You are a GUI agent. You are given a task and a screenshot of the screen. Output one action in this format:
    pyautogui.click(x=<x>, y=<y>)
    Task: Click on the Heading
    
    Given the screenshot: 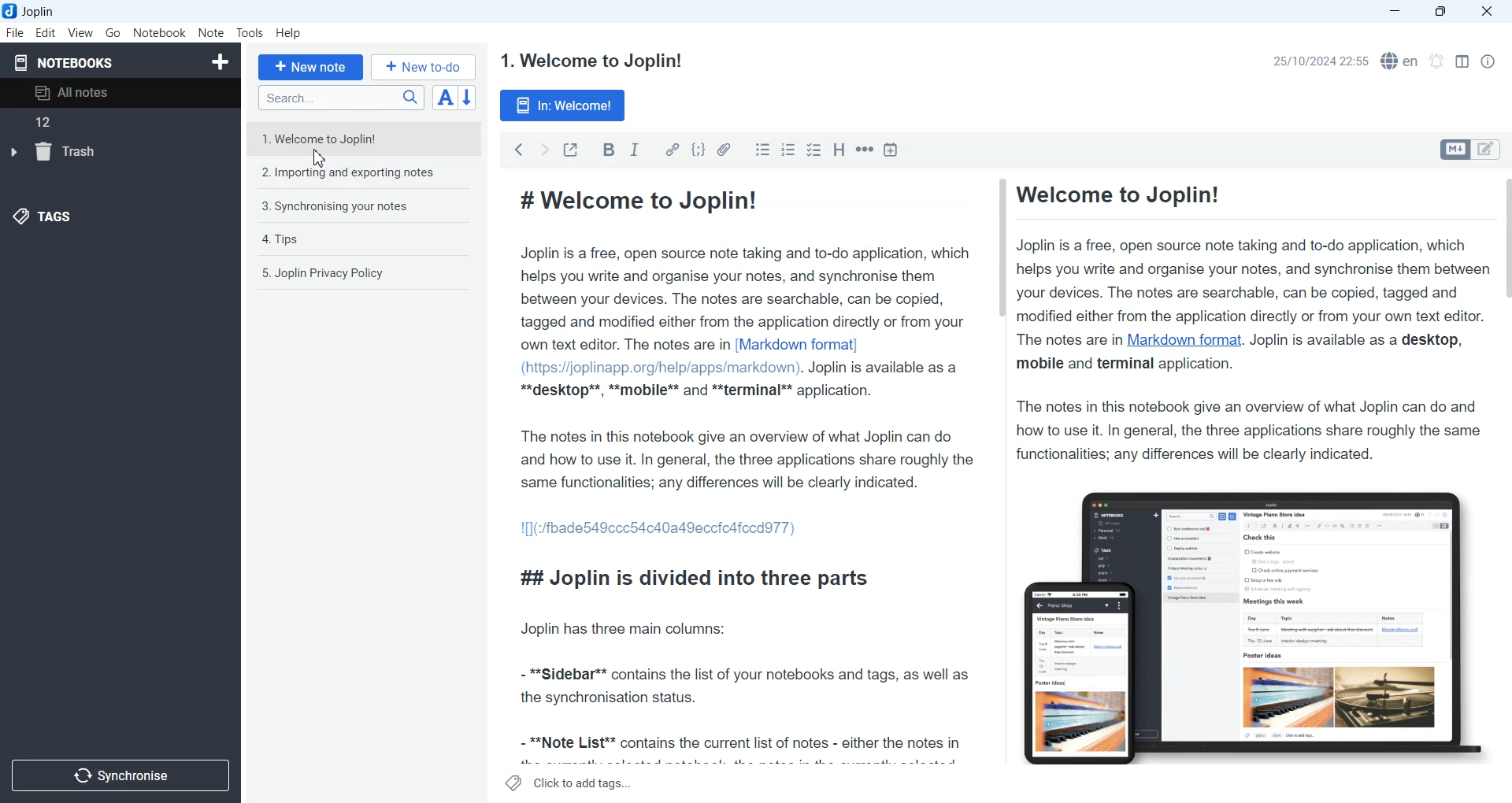 What is the action you would take?
    pyautogui.click(x=840, y=150)
    